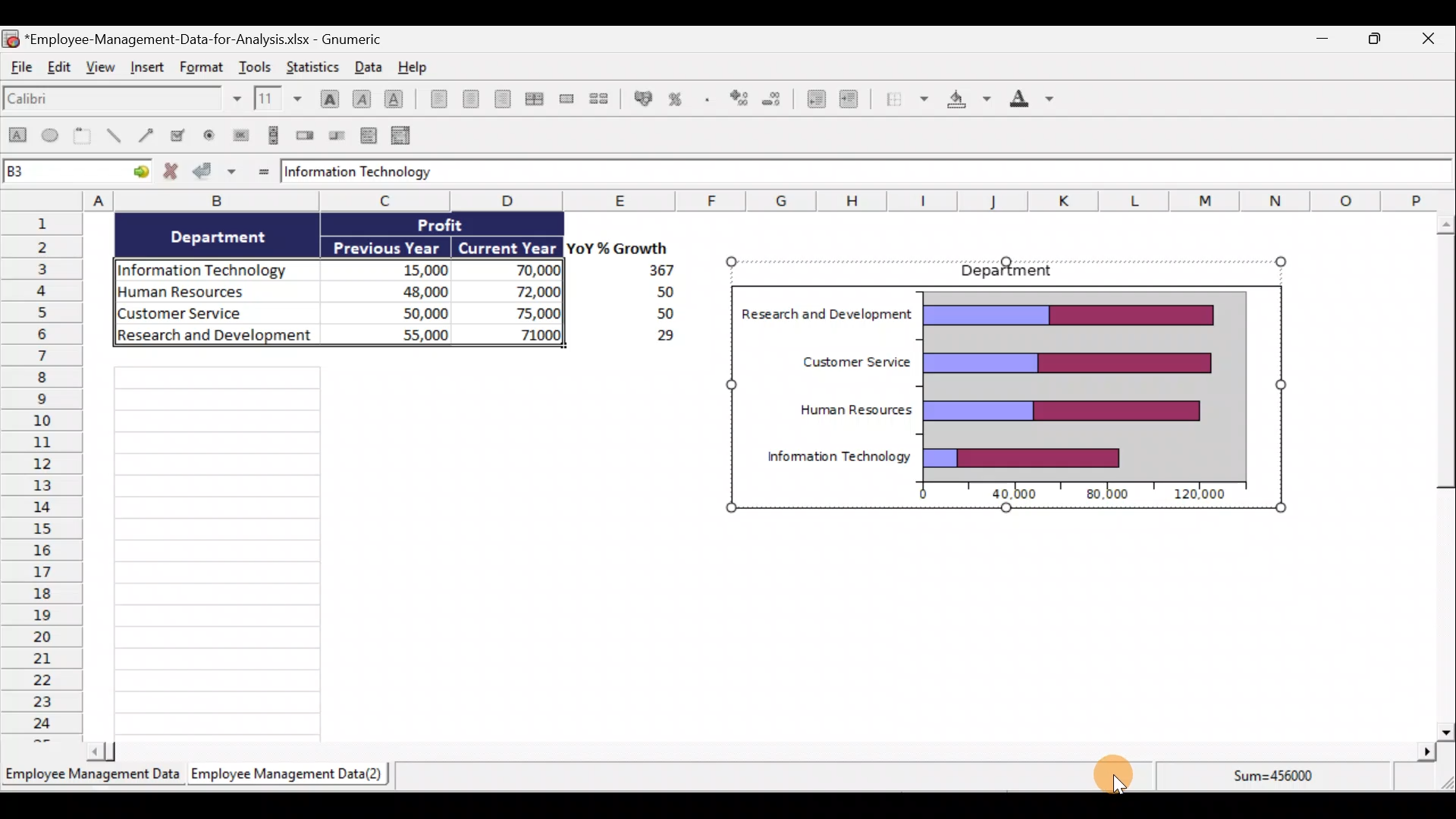 The height and width of the screenshot is (819, 1456). What do you see at coordinates (814, 101) in the screenshot?
I see `Decrease indent, align contents to the left` at bounding box center [814, 101].